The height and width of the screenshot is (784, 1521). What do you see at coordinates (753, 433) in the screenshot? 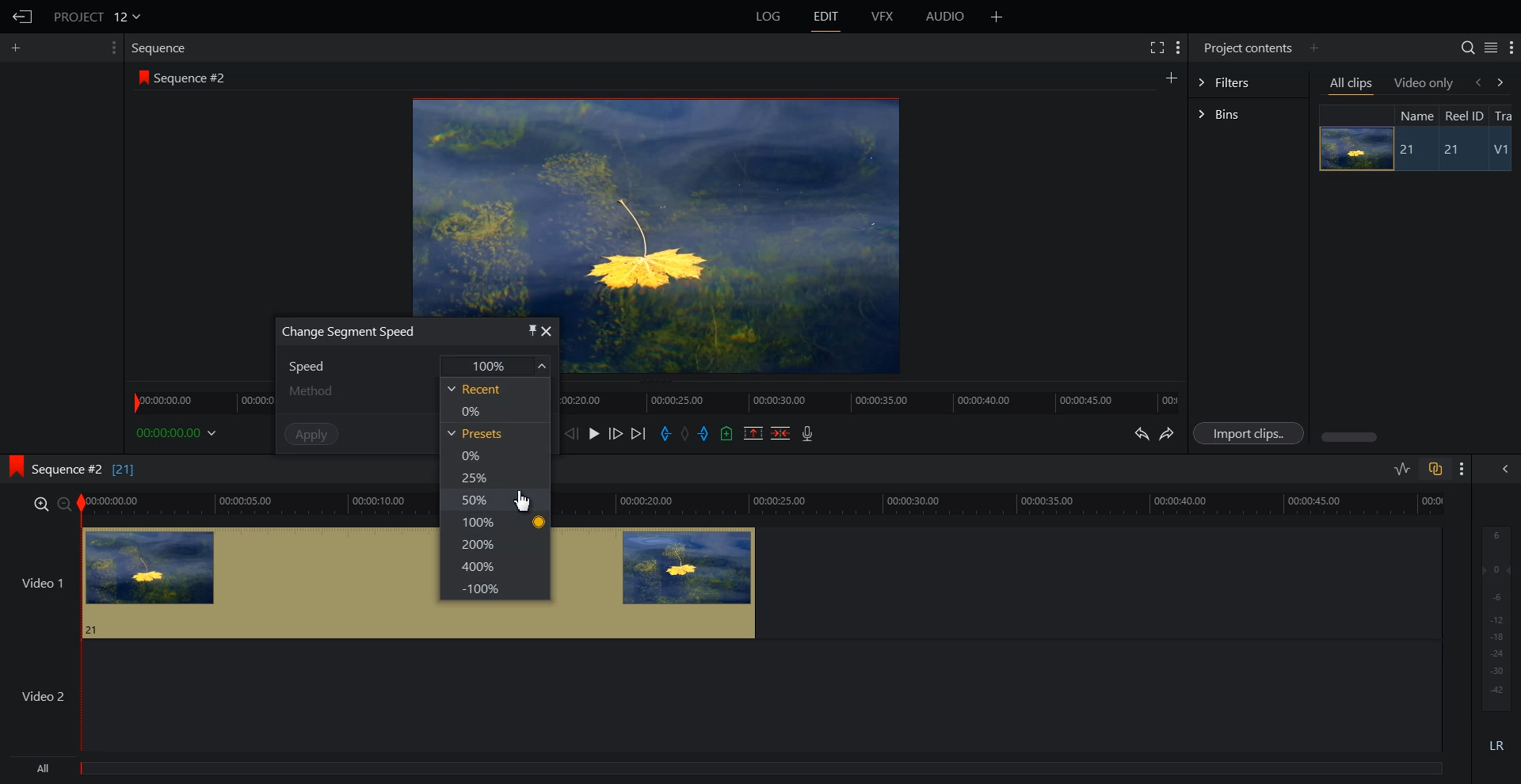
I see `Remove Mark Section` at bounding box center [753, 433].